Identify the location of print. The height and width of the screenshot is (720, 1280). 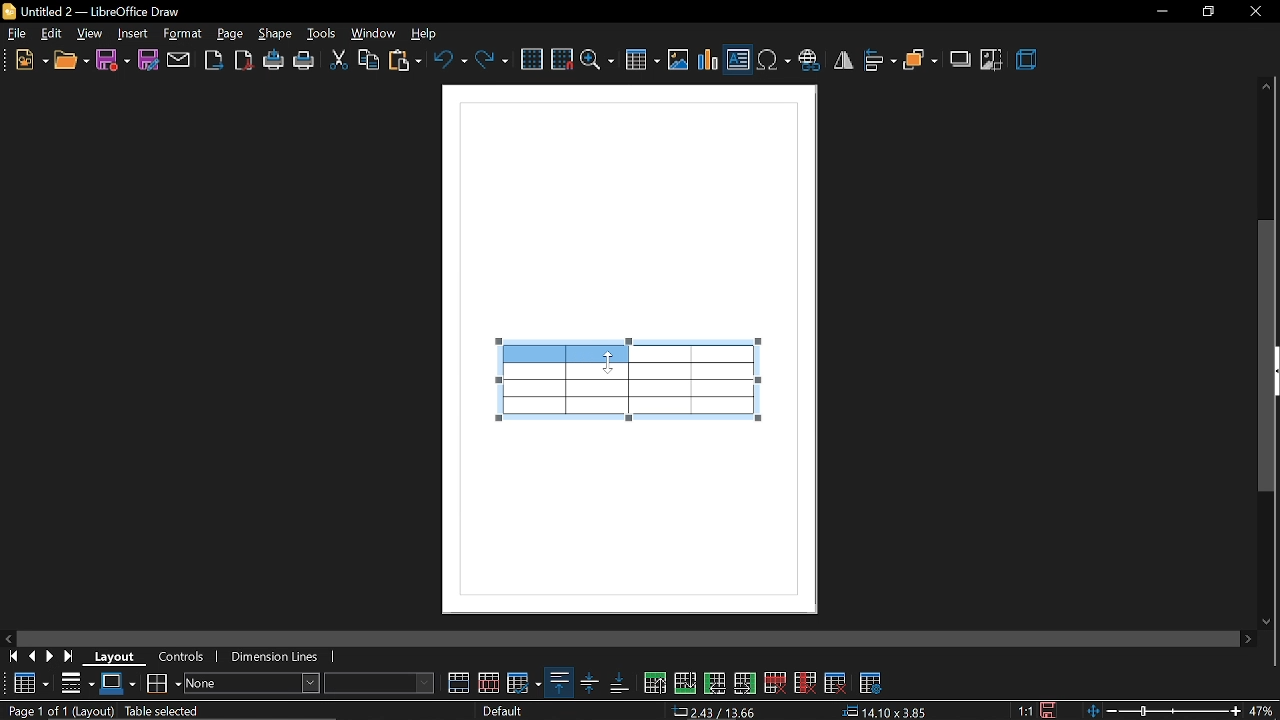
(305, 62).